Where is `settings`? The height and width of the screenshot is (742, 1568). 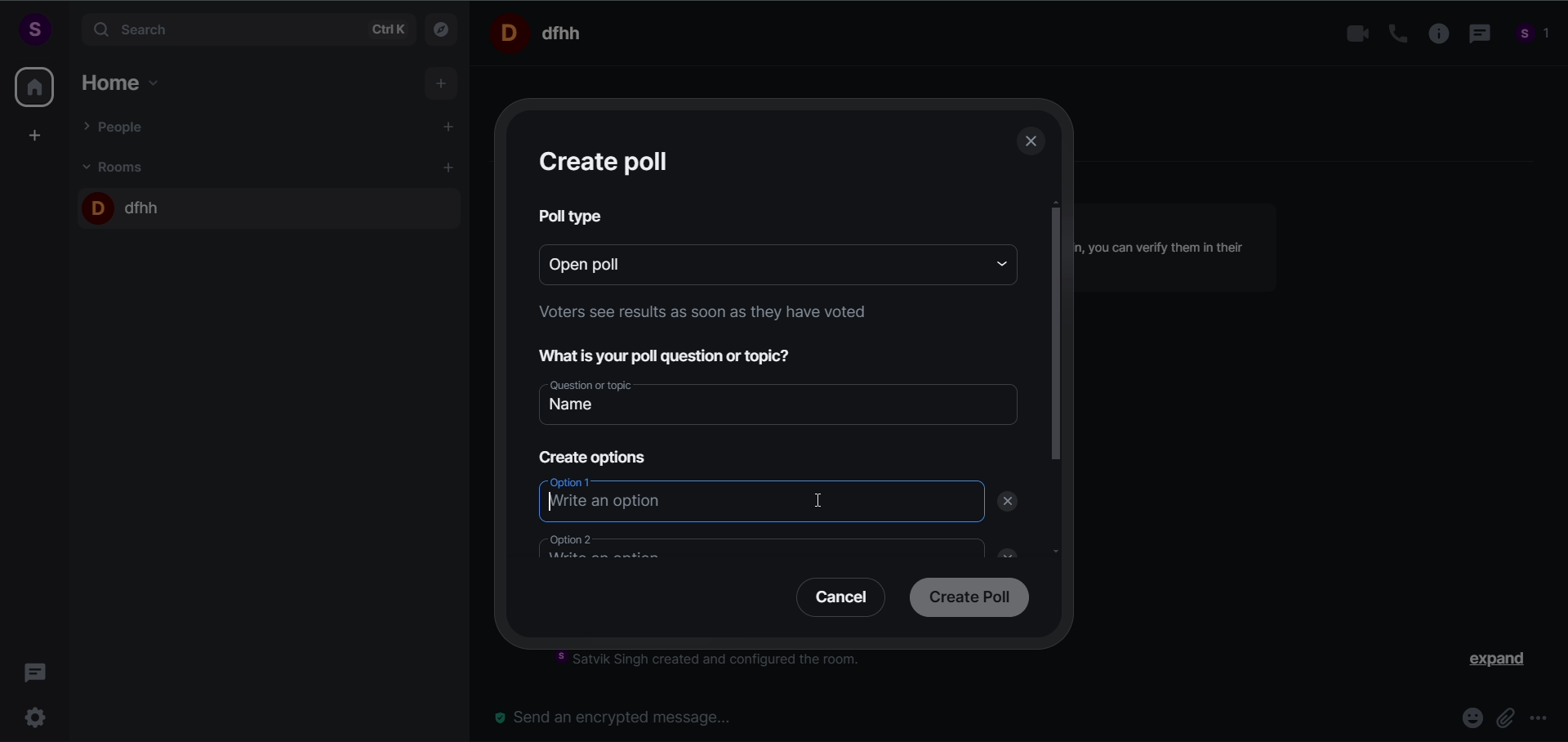
settings is located at coordinates (39, 715).